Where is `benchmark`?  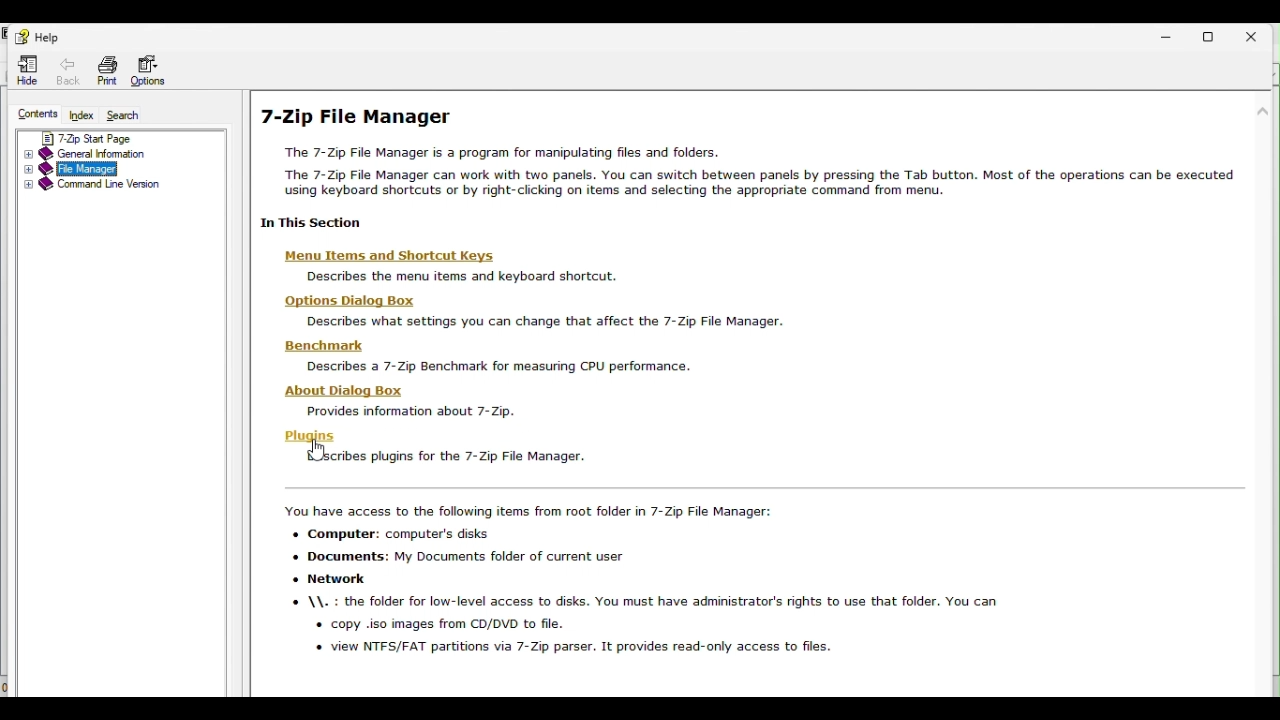 benchmark is located at coordinates (324, 346).